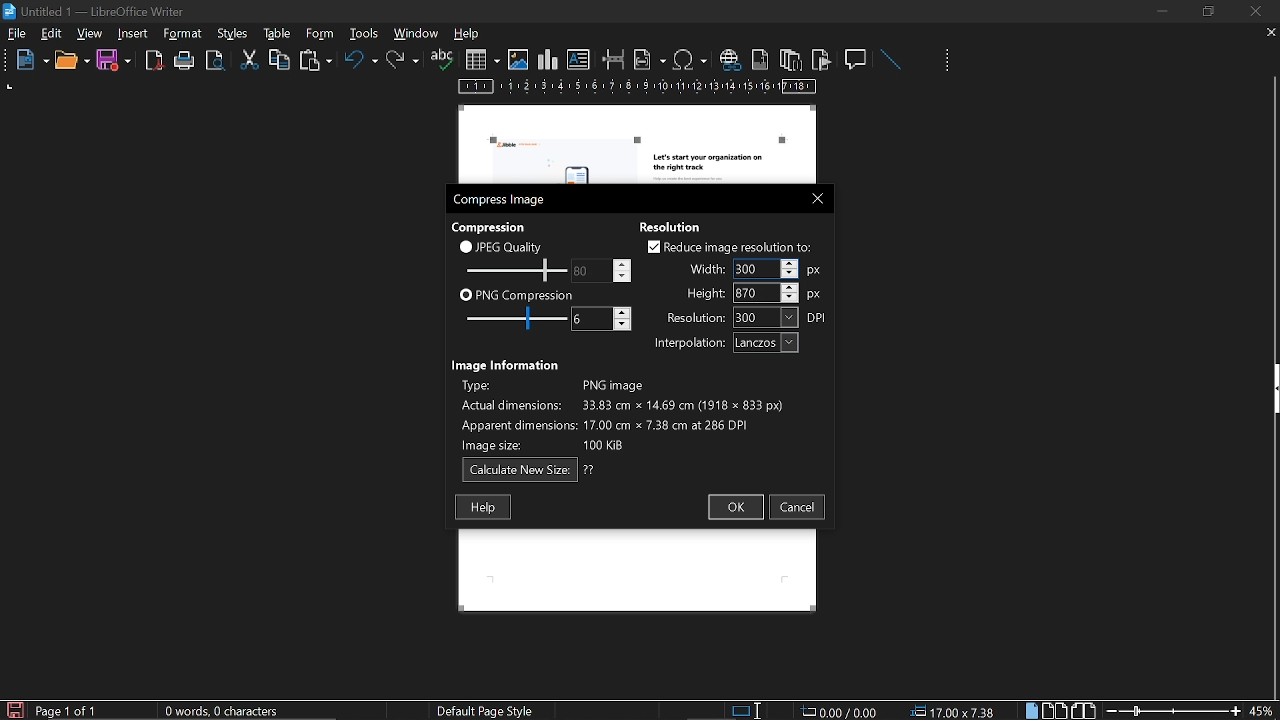  What do you see at coordinates (1254, 11) in the screenshot?
I see `close` at bounding box center [1254, 11].